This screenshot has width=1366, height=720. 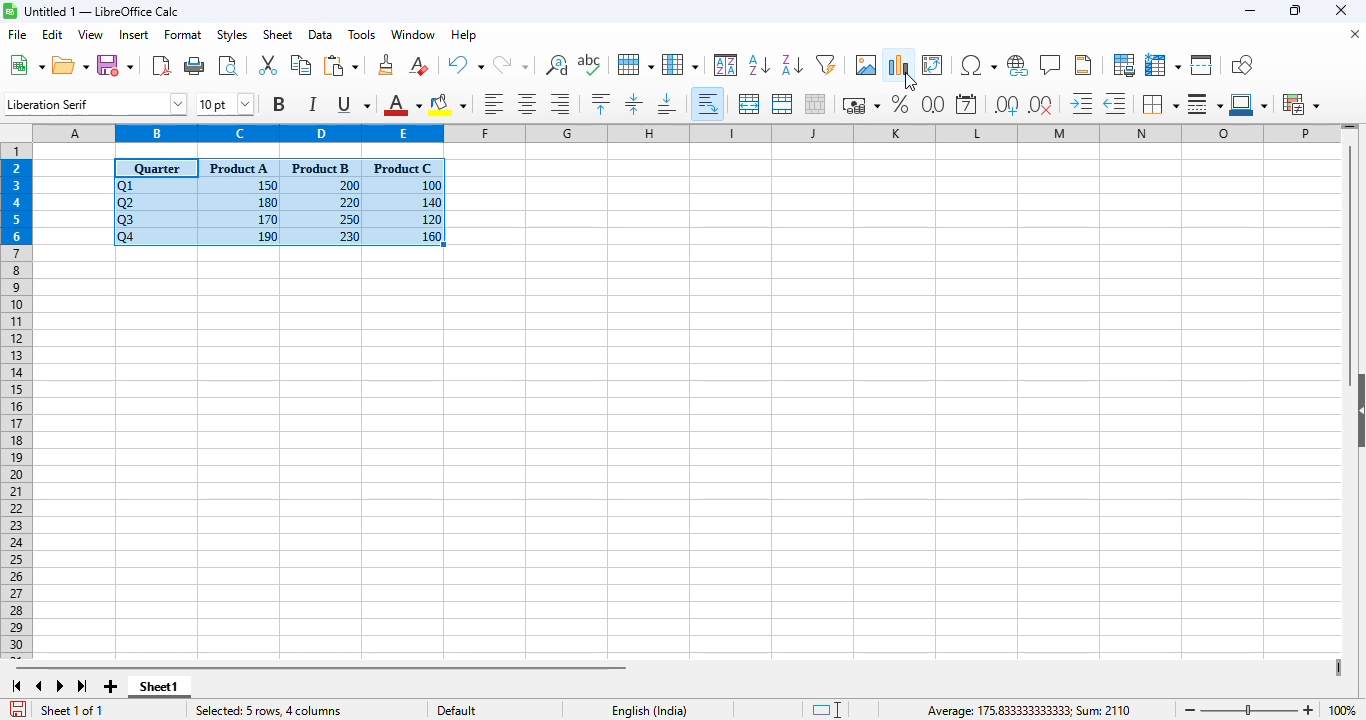 I want to click on copy, so click(x=301, y=65).